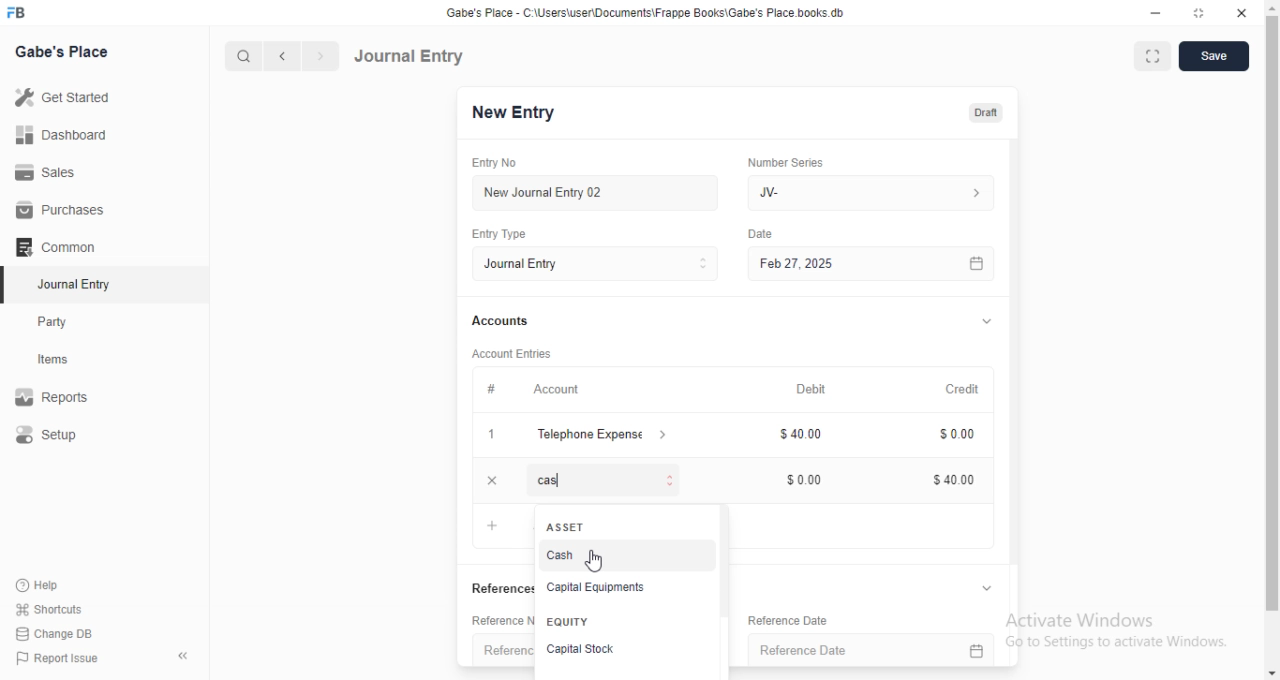 The width and height of the screenshot is (1280, 680). Describe the element at coordinates (57, 246) in the screenshot. I see `‘Common` at that location.